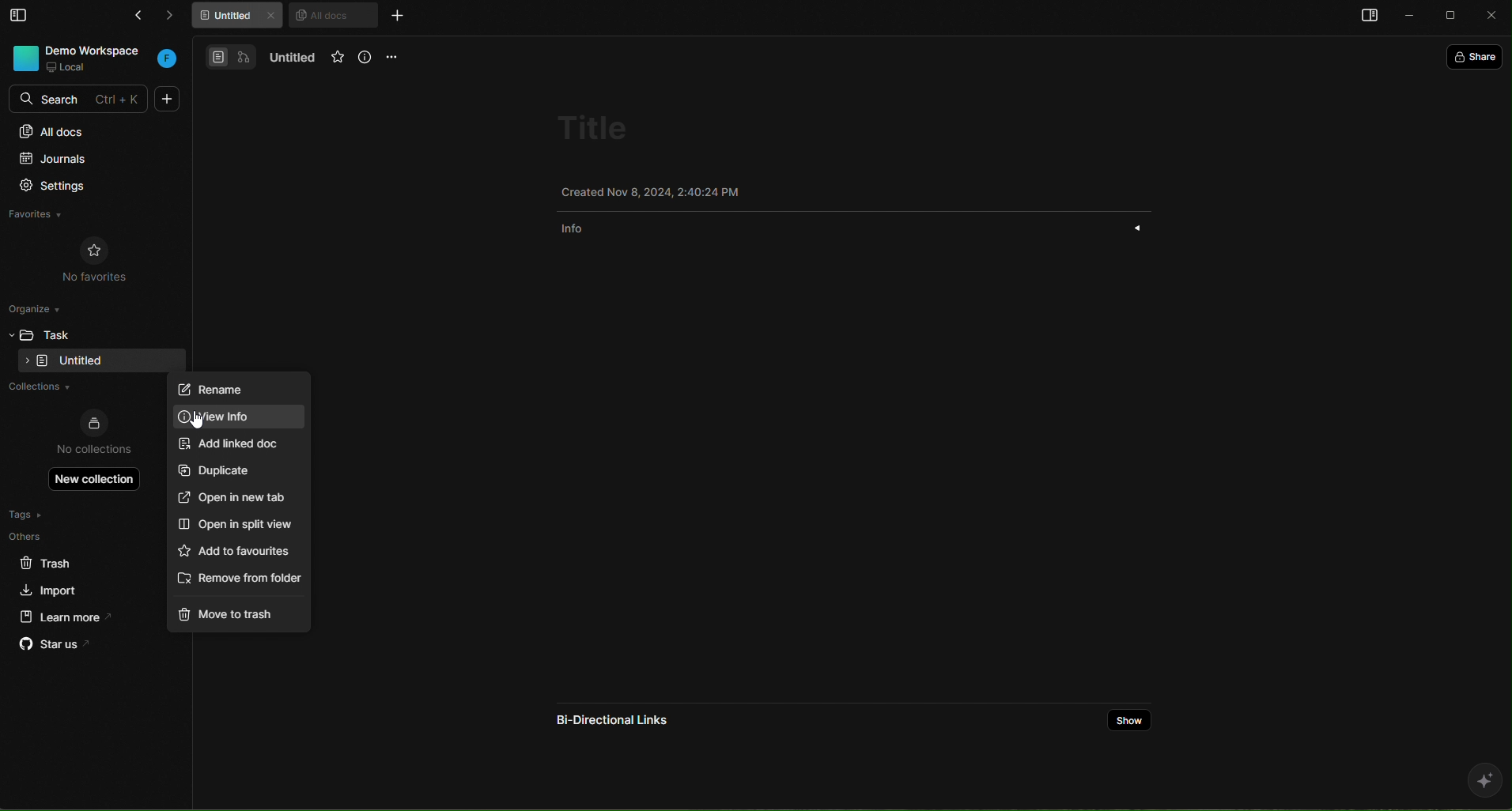 The height and width of the screenshot is (811, 1512). Describe the element at coordinates (89, 388) in the screenshot. I see `collections` at that location.